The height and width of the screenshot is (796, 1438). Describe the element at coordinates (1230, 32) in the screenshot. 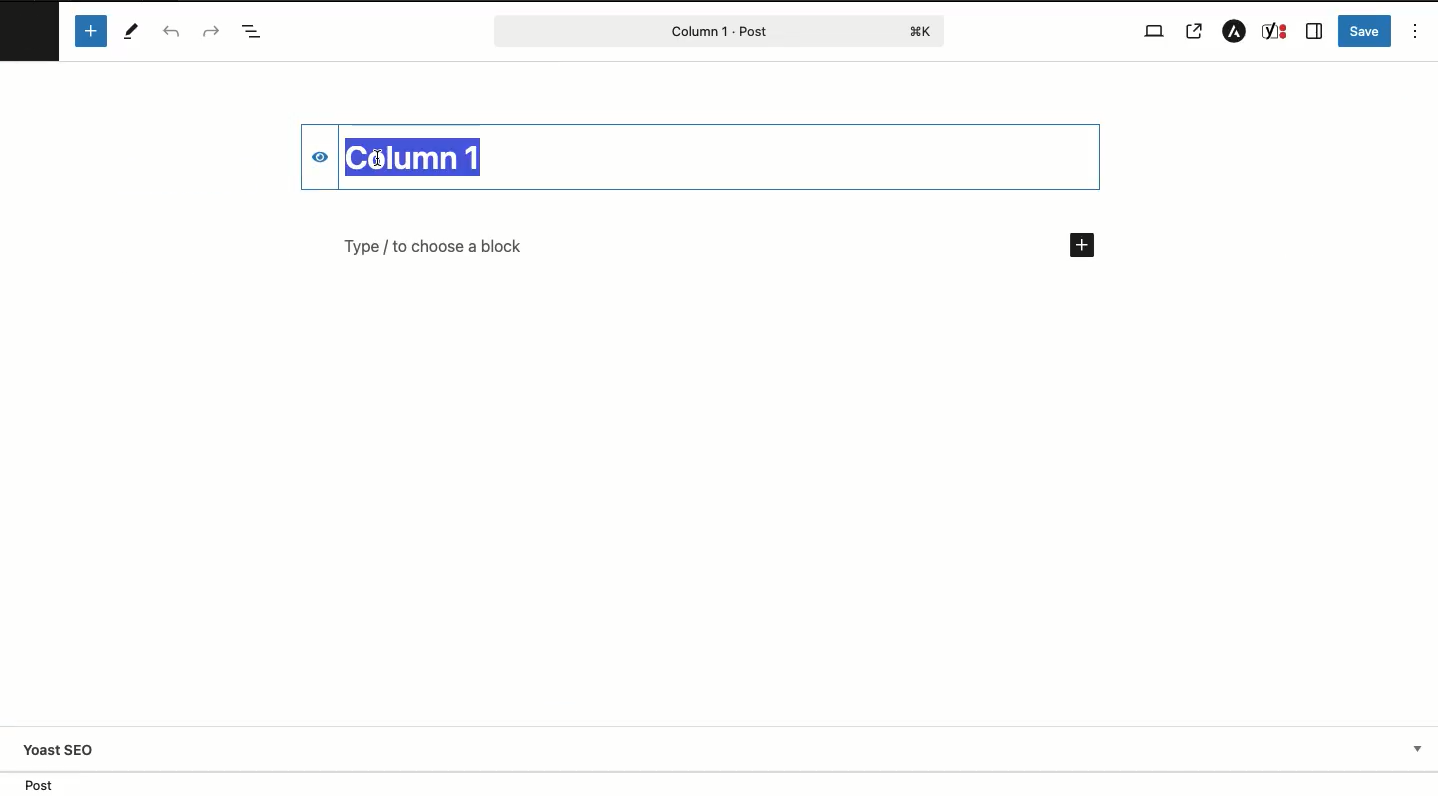

I see `Astra` at that location.